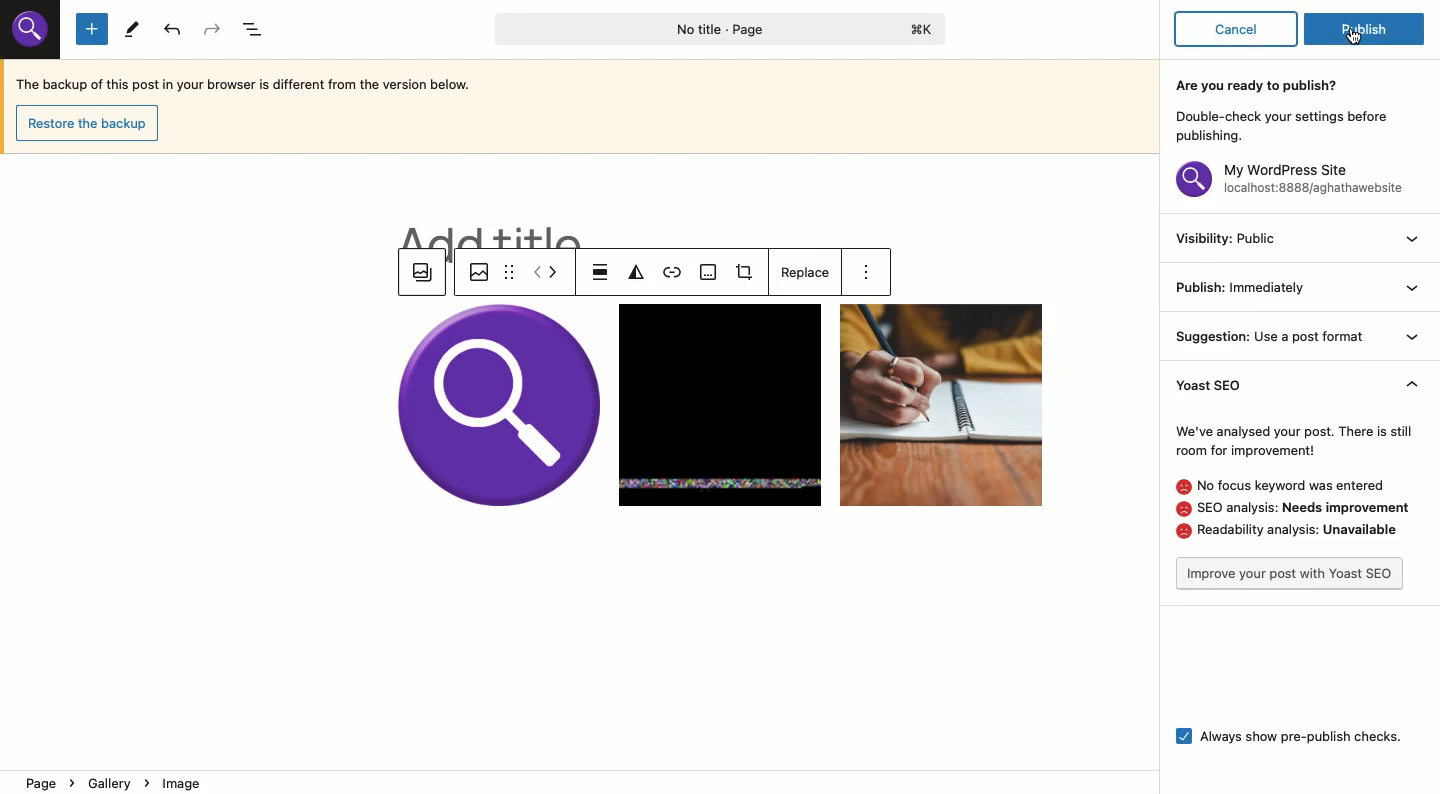 The width and height of the screenshot is (1440, 794). I want to click on Redo, so click(216, 28).